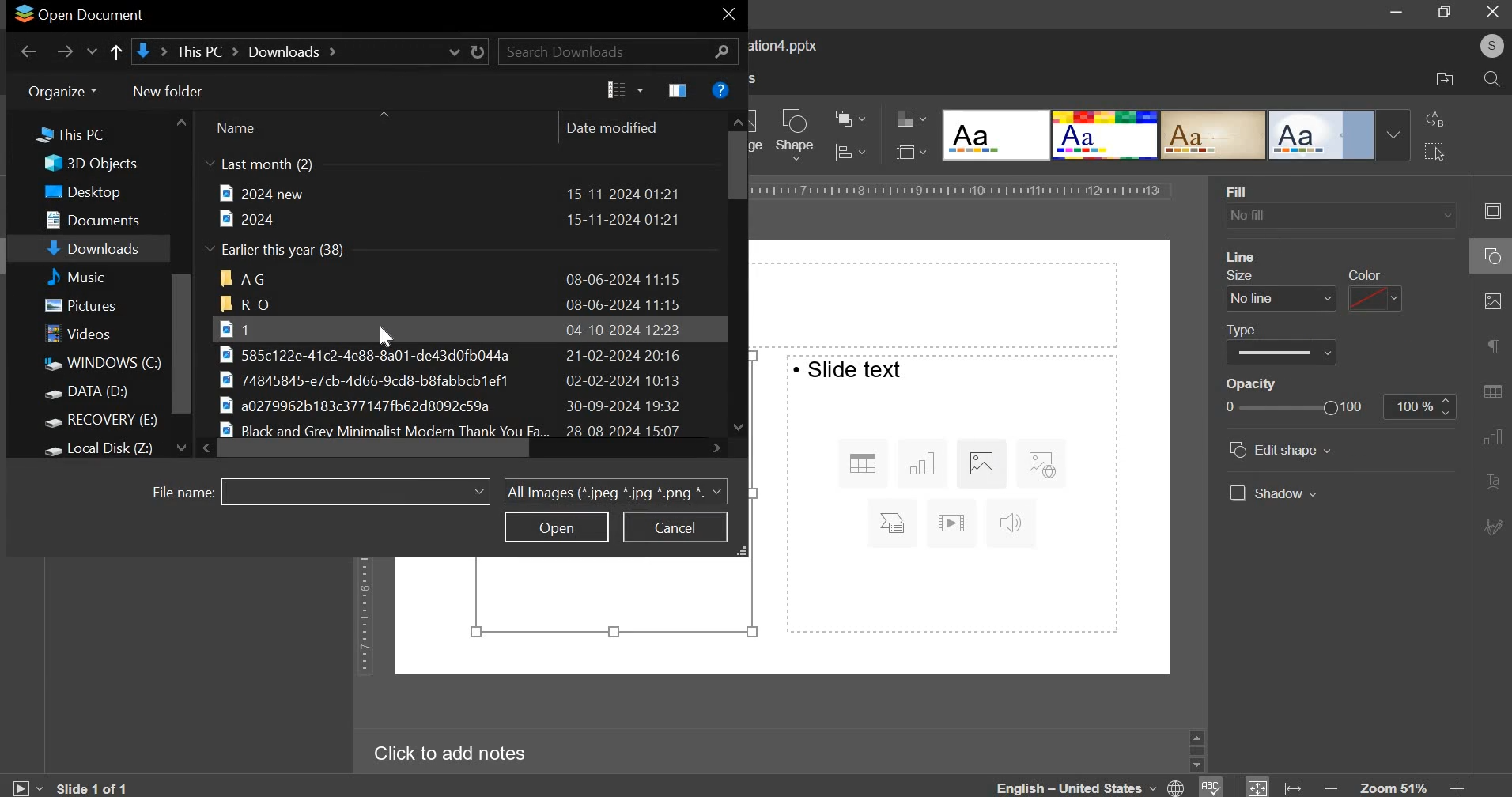 This screenshot has height=797, width=1512. What do you see at coordinates (997, 136) in the screenshot?
I see `design` at bounding box center [997, 136].